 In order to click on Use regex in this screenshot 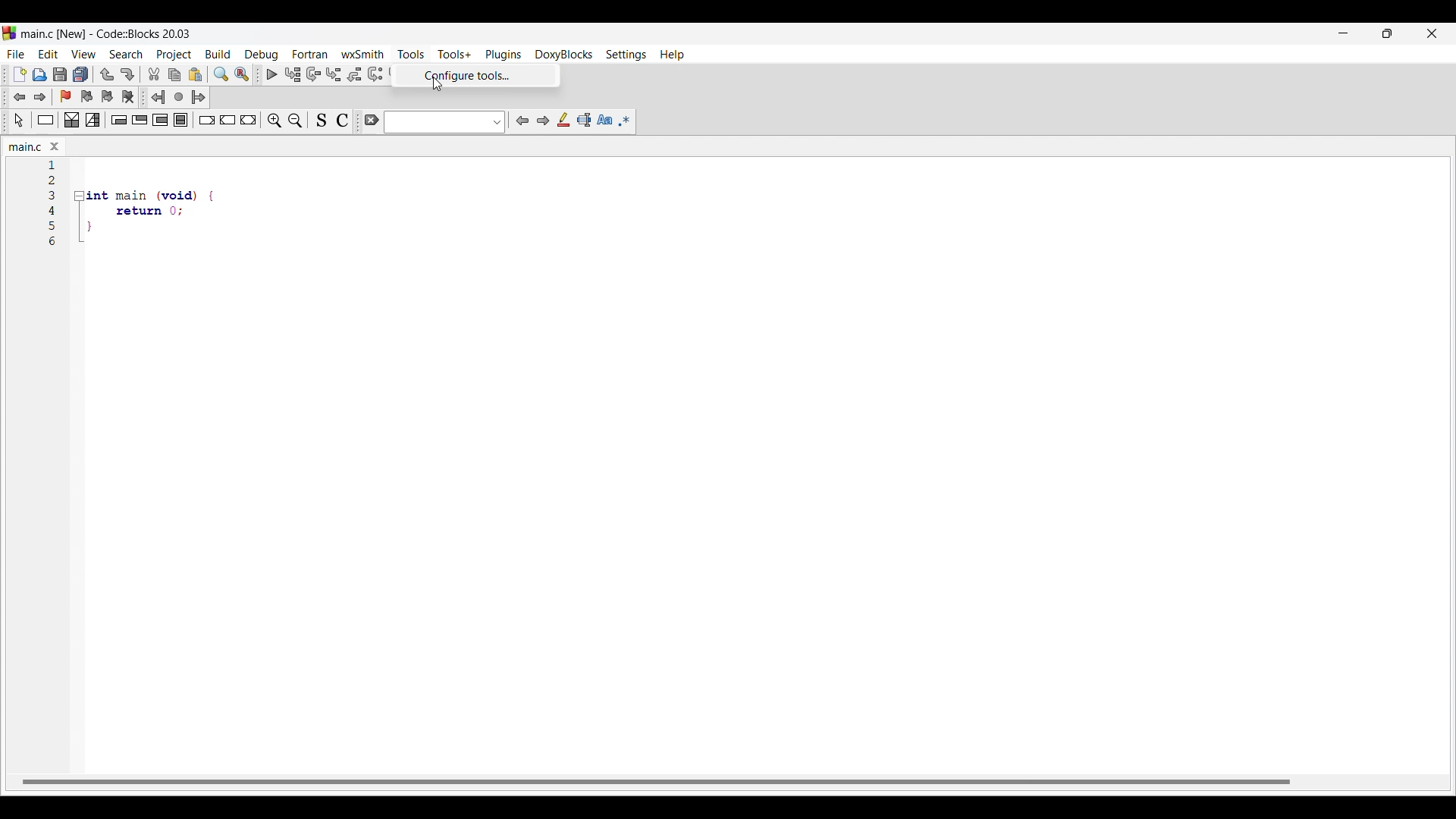, I will do `click(625, 121)`.